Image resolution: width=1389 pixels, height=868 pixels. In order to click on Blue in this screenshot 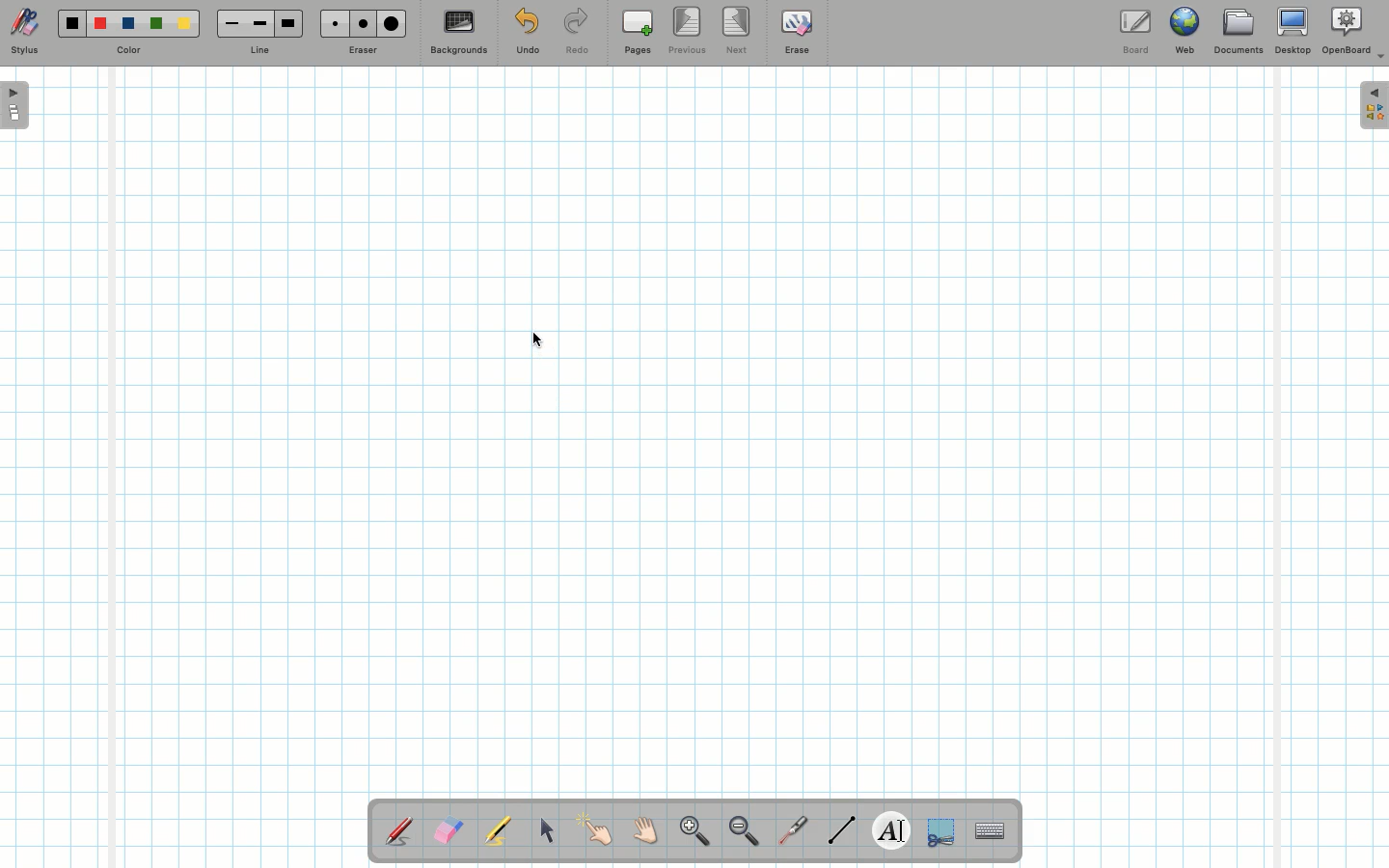, I will do `click(129, 24)`.